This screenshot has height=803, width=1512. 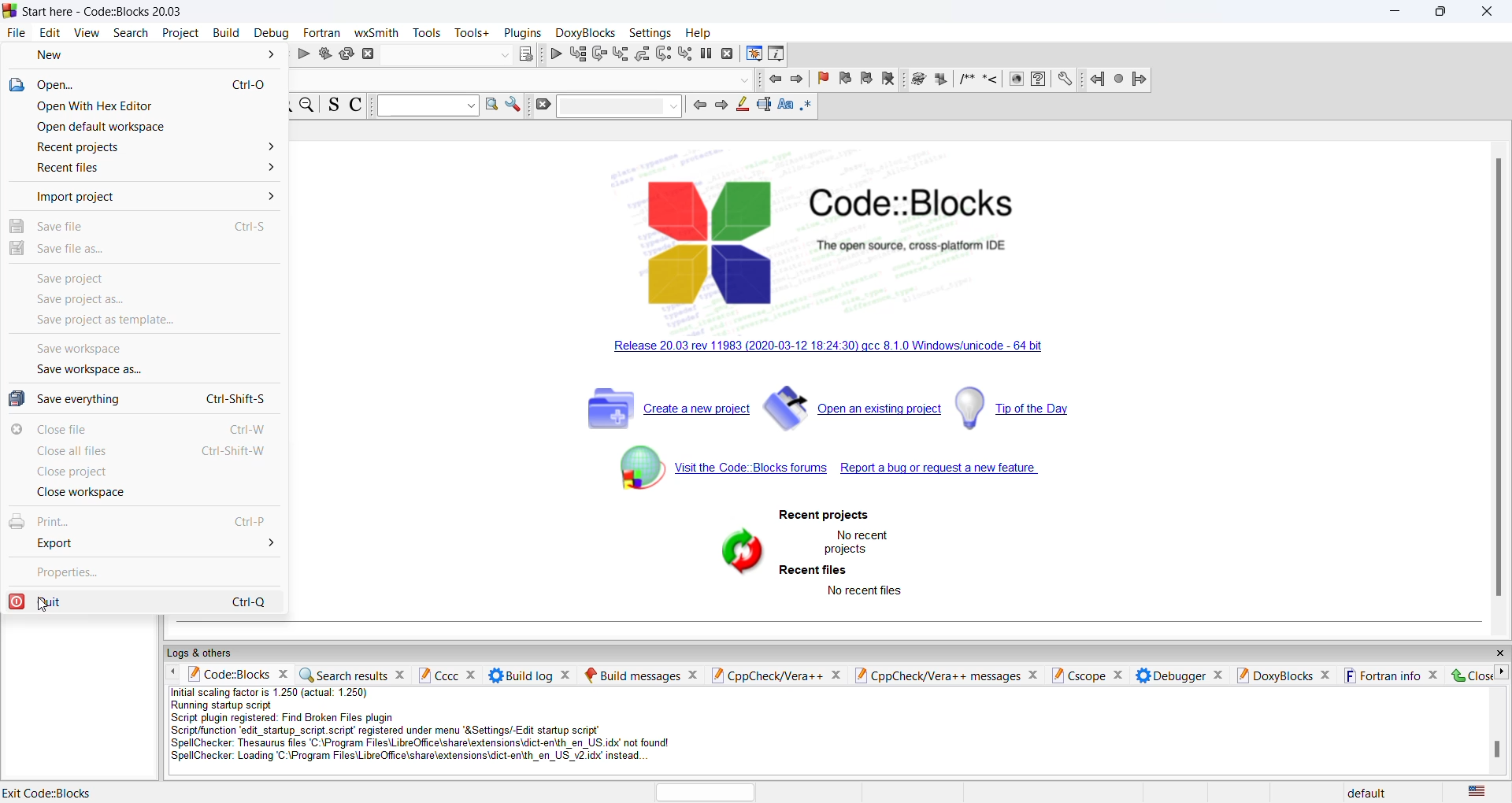 I want to click on Open With Hex Editor, so click(x=98, y=107).